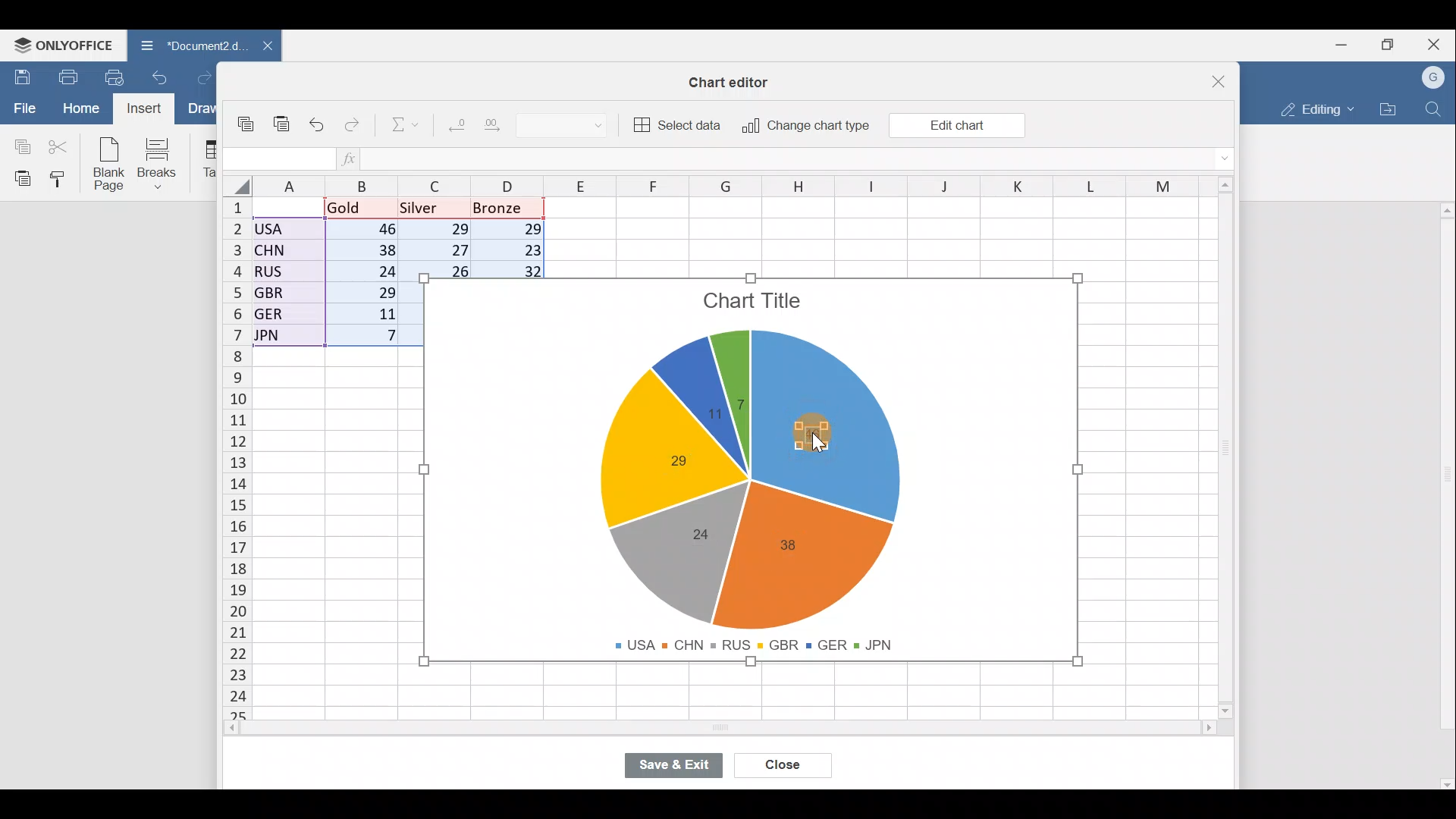 The image size is (1456, 819). Describe the element at coordinates (682, 767) in the screenshot. I see `Save & exit` at that location.